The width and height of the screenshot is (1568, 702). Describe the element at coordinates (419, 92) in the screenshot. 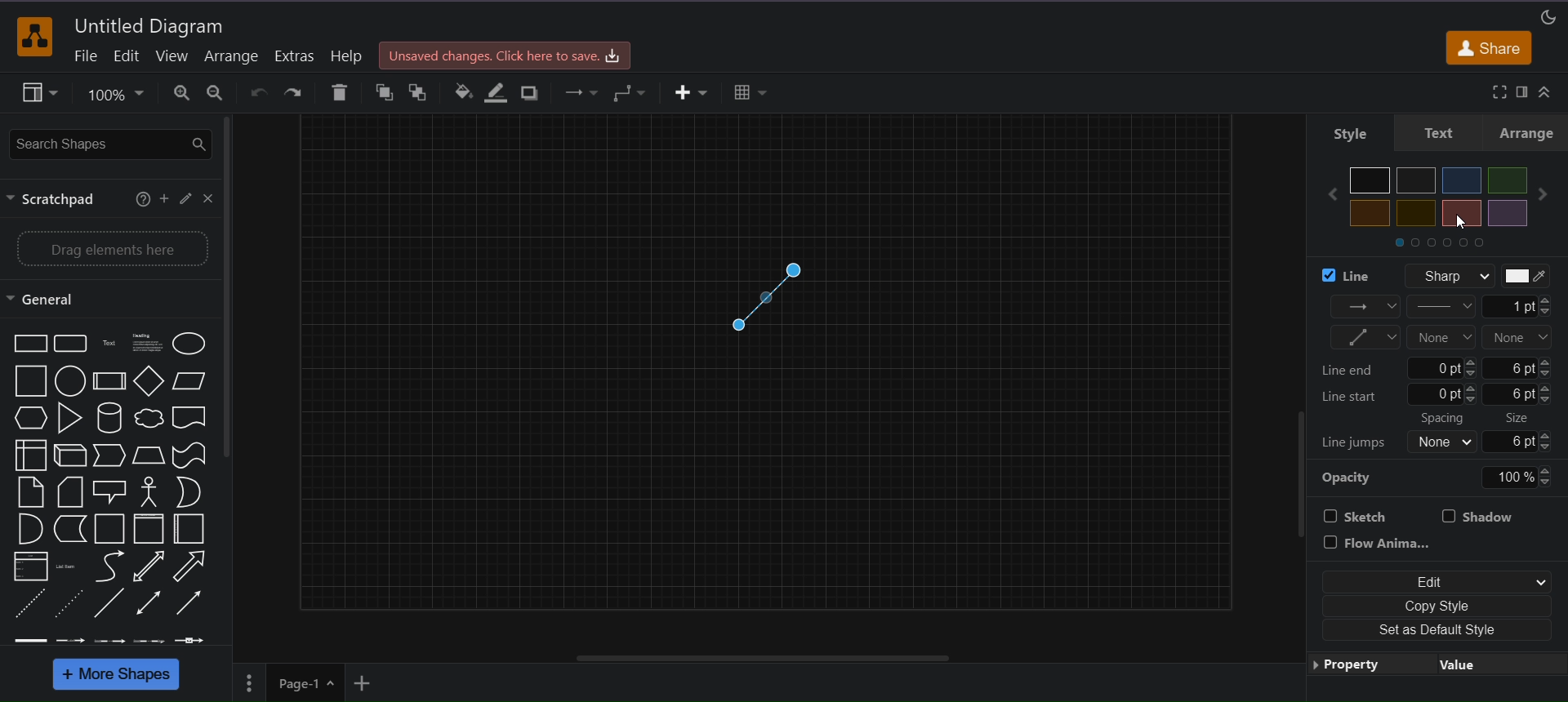

I see `to back` at that location.